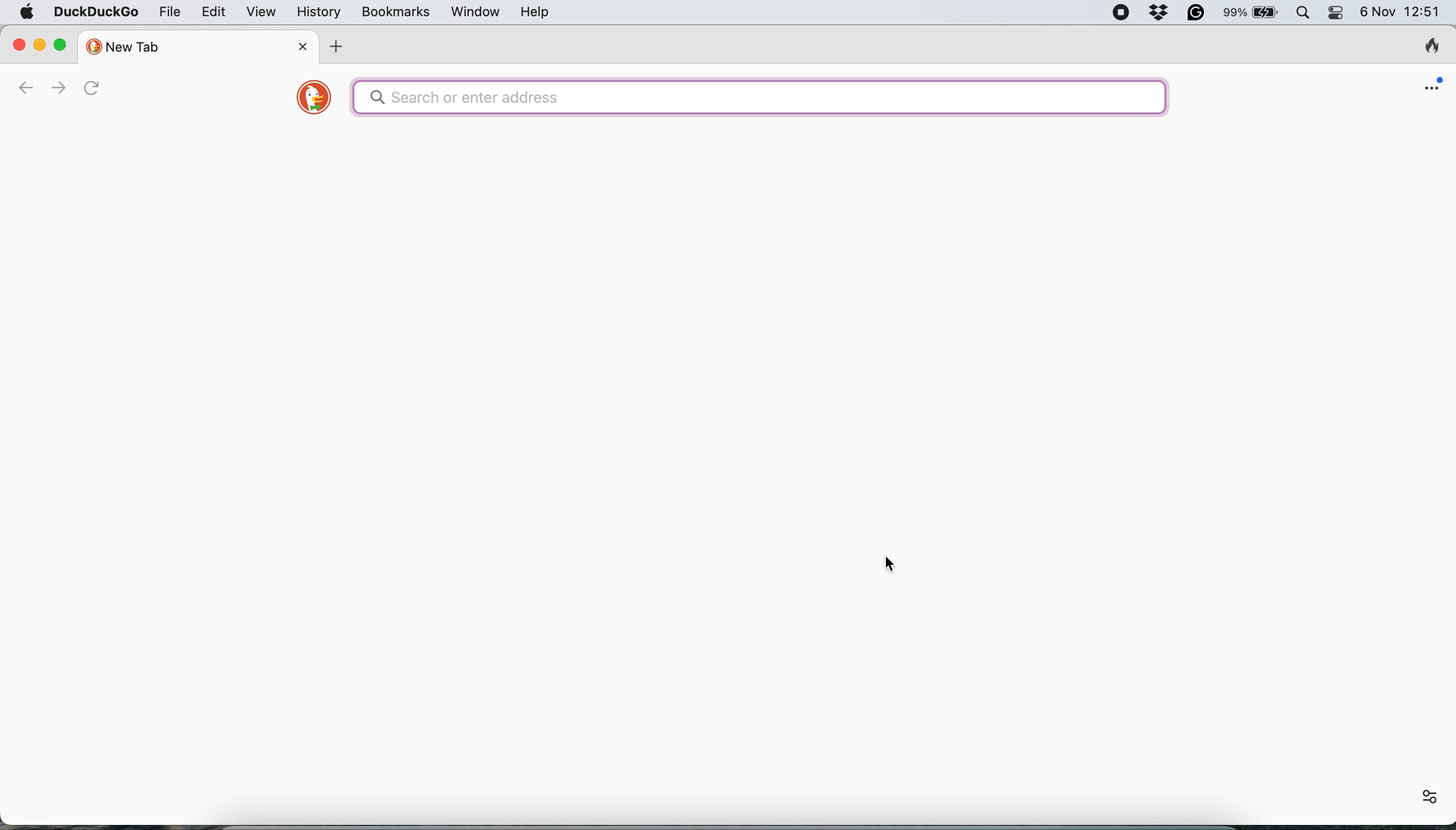 The height and width of the screenshot is (830, 1456). Describe the element at coordinates (759, 96) in the screenshot. I see `search bar` at that location.